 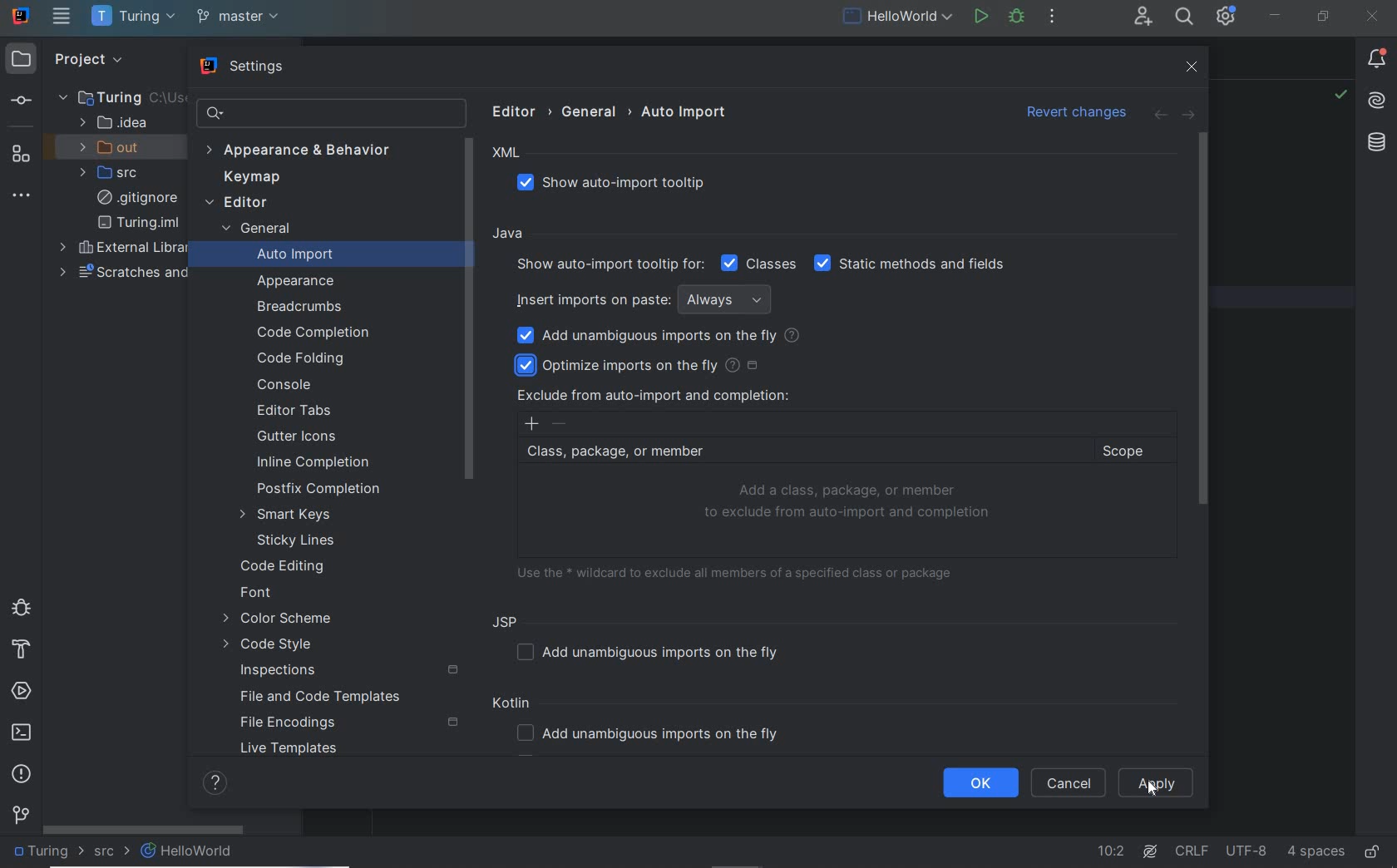 What do you see at coordinates (109, 96) in the screenshot?
I see `Turing(project folder)` at bounding box center [109, 96].